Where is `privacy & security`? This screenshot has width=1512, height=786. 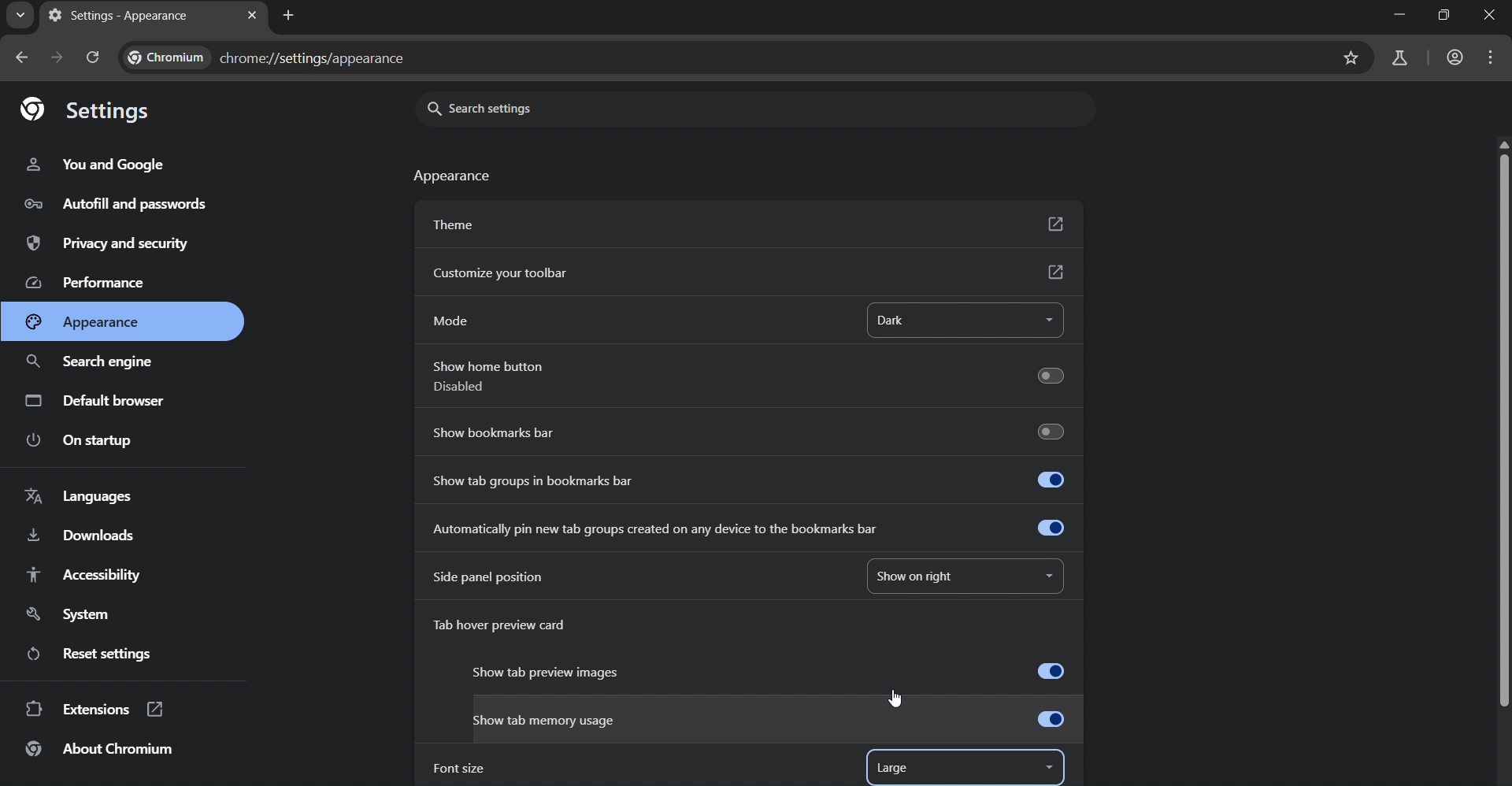
privacy & security is located at coordinates (109, 246).